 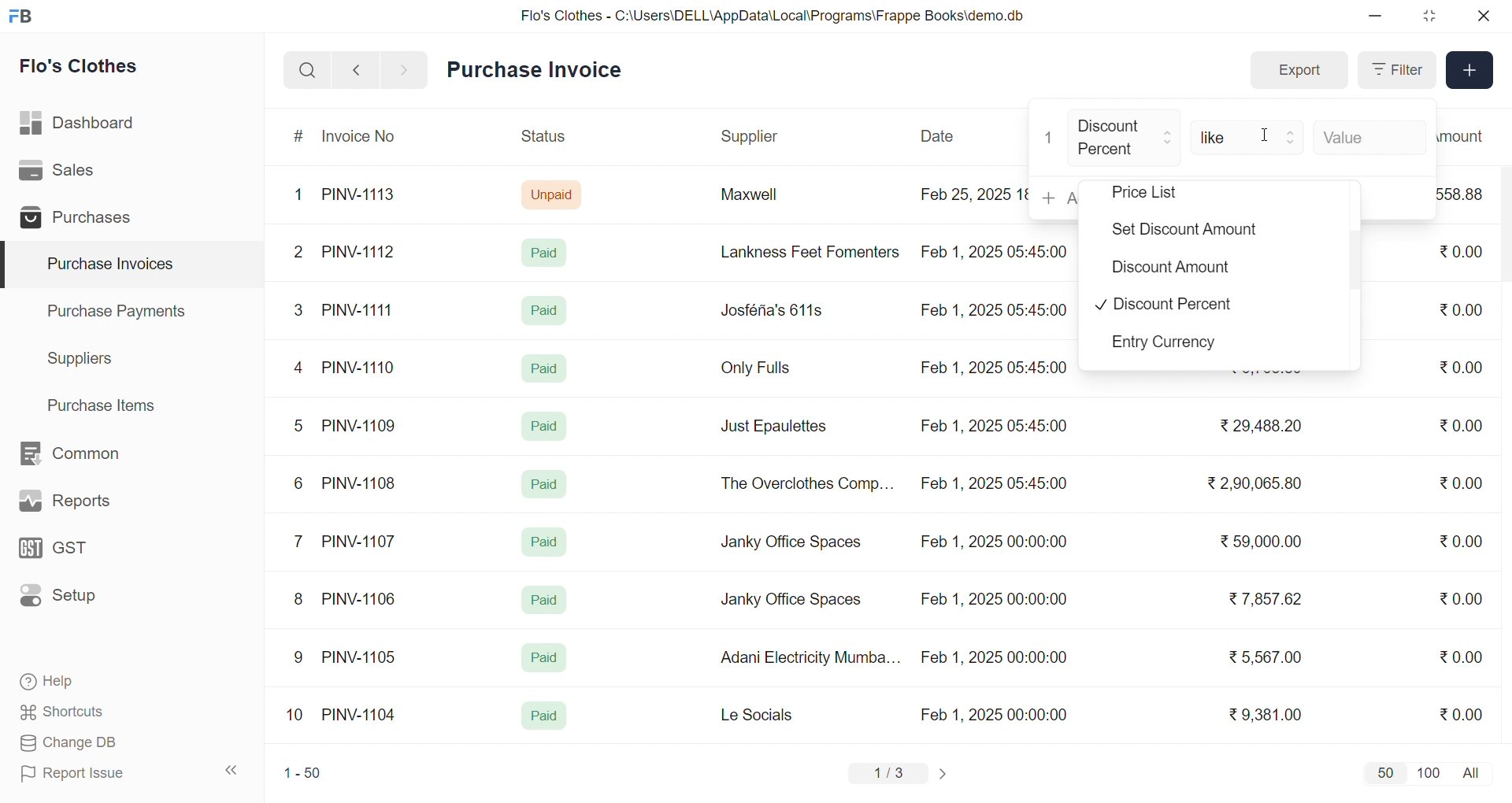 I want to click on 10, so click(x=298, y=716).